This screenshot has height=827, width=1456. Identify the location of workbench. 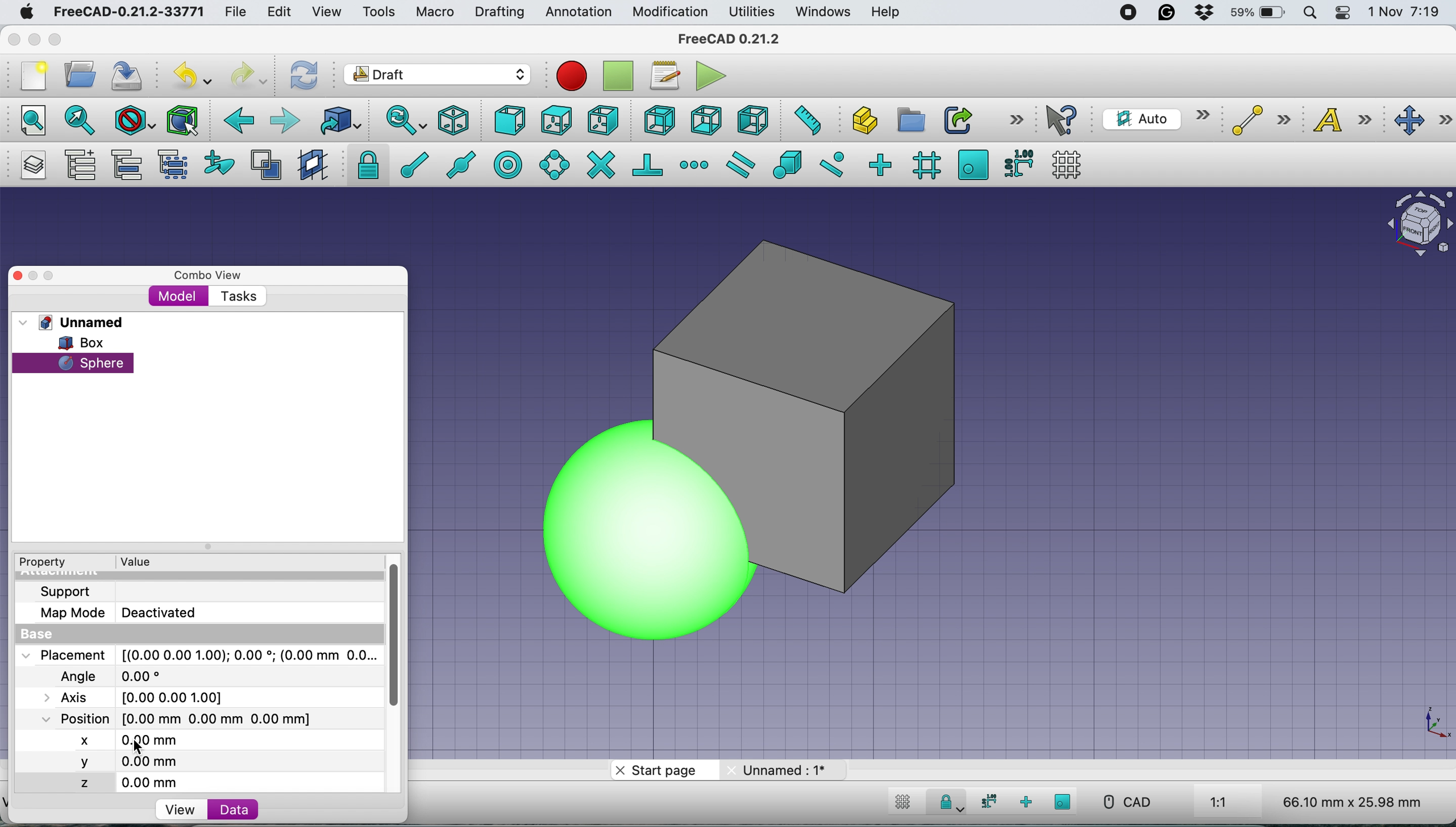
(438, 76).